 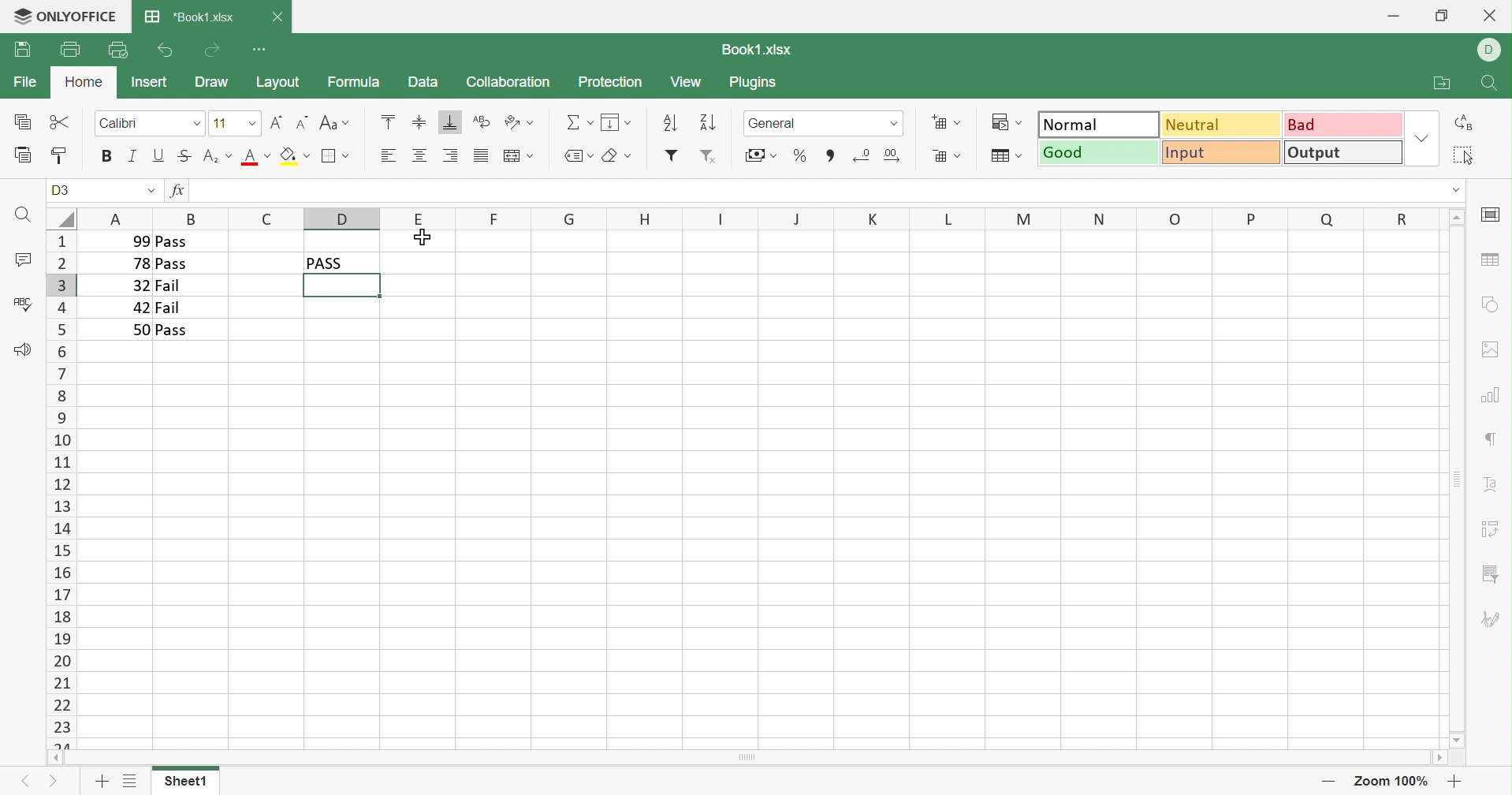 What do you see at coordinates (686, 82) in the screenshot?
I see `View` at bounding box center [686, 82].